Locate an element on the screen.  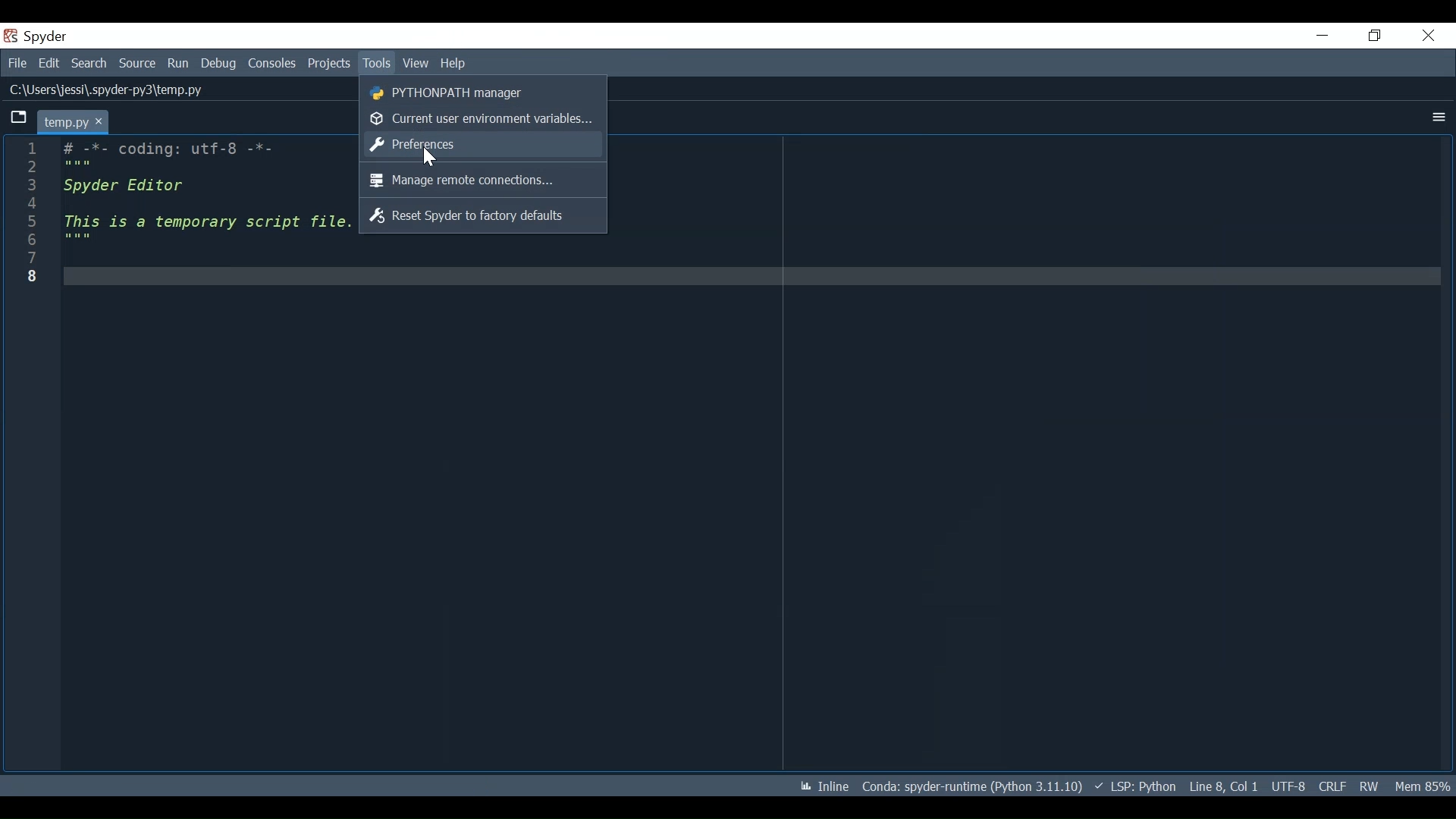
File EQL Status is located at coordinates (1332, 786).